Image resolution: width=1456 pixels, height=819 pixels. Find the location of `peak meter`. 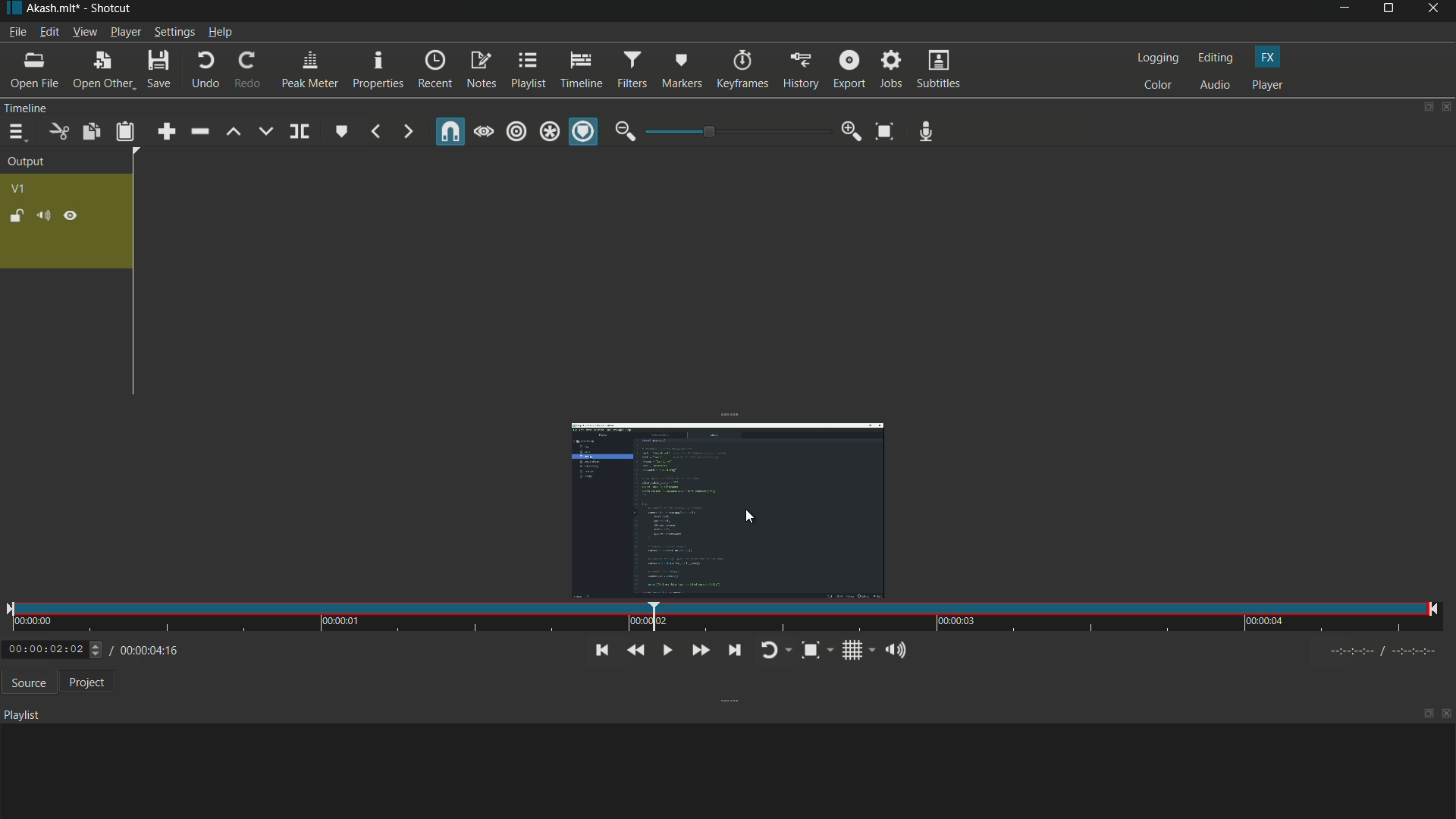

peak meter is located at coordinates (308, 70).